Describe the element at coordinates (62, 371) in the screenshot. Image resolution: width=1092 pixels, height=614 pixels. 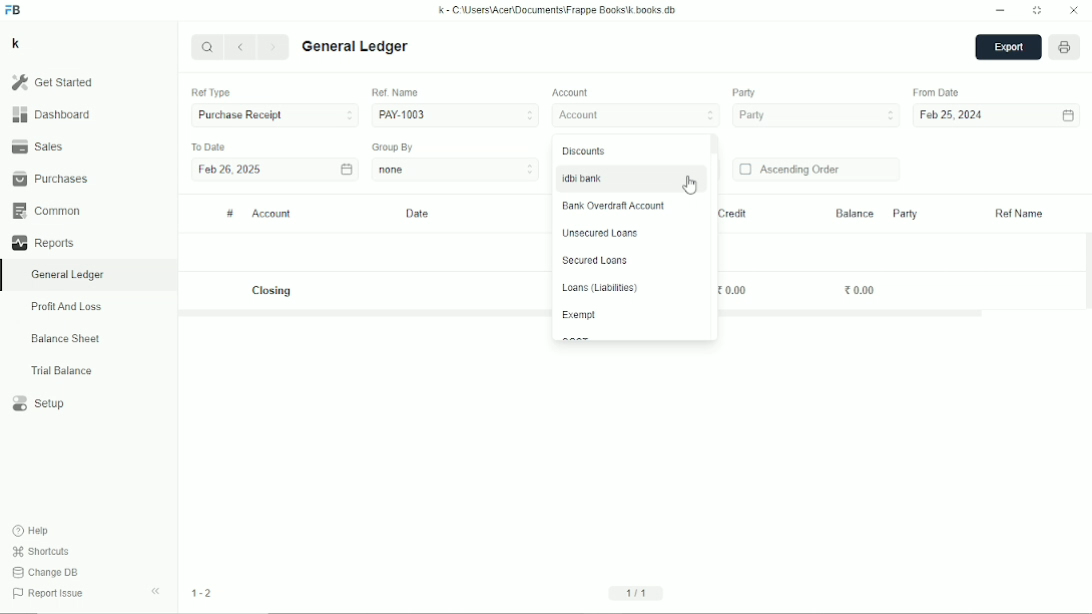
I see `Trial balance` at that location.